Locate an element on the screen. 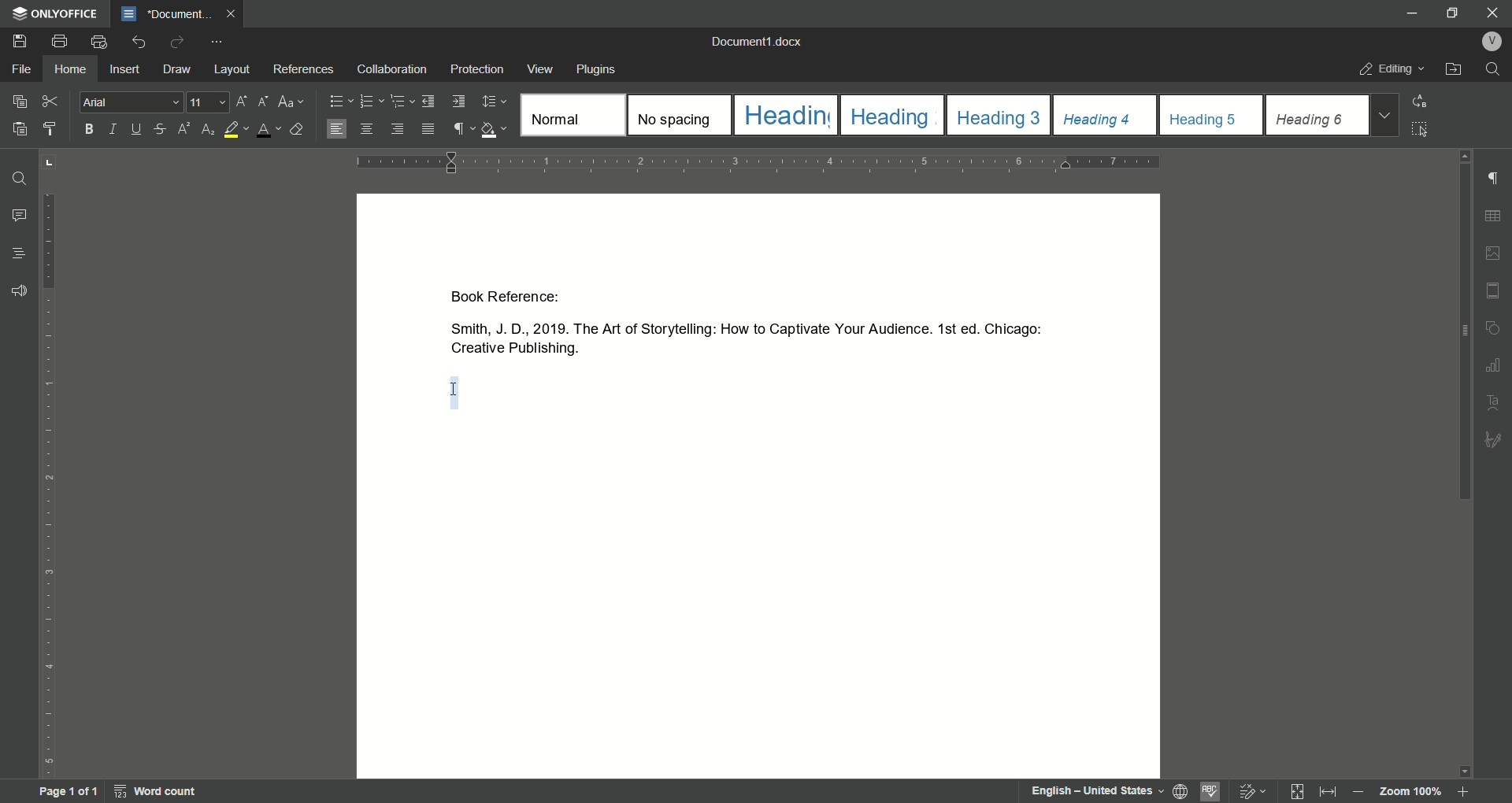 The height and width of the screenshot is (803, 1512). Creative Publishing. is located at coordinates (510, 350).